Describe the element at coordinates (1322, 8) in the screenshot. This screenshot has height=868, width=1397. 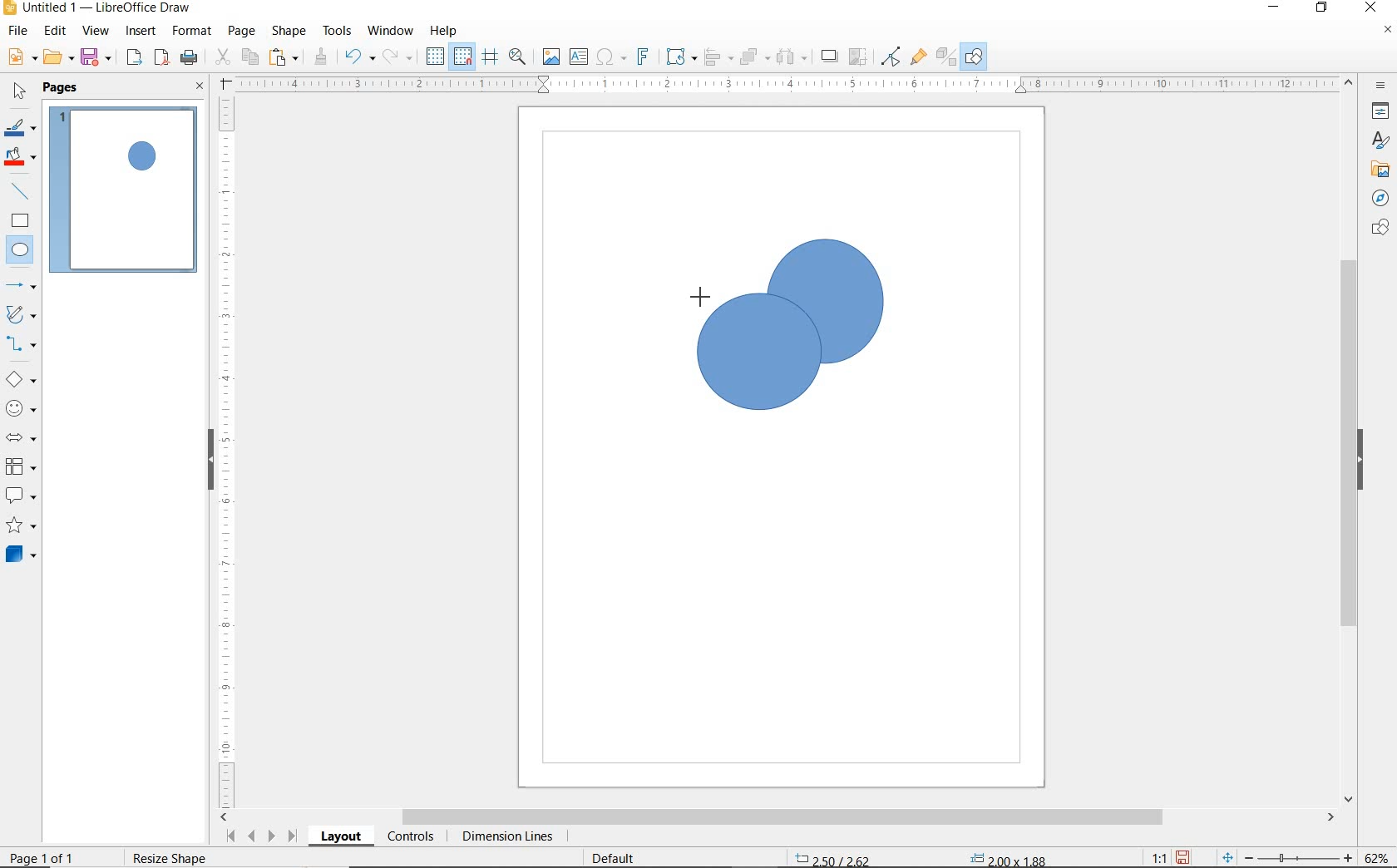
I see `RESTORE DOWN` at that location.